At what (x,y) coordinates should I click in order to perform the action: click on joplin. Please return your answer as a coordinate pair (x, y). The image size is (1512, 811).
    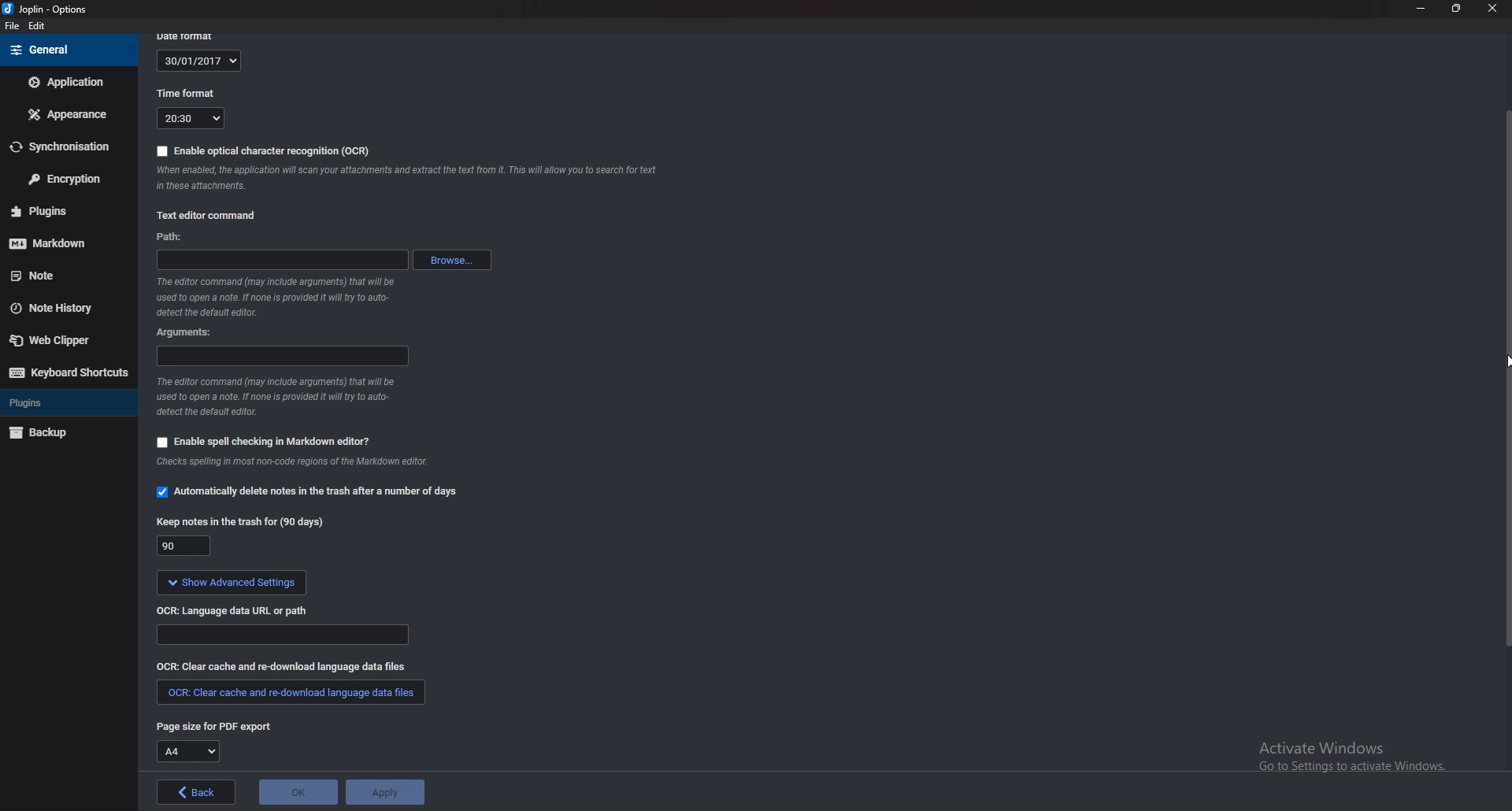
    Looking at the image, I should click on (51, 9).